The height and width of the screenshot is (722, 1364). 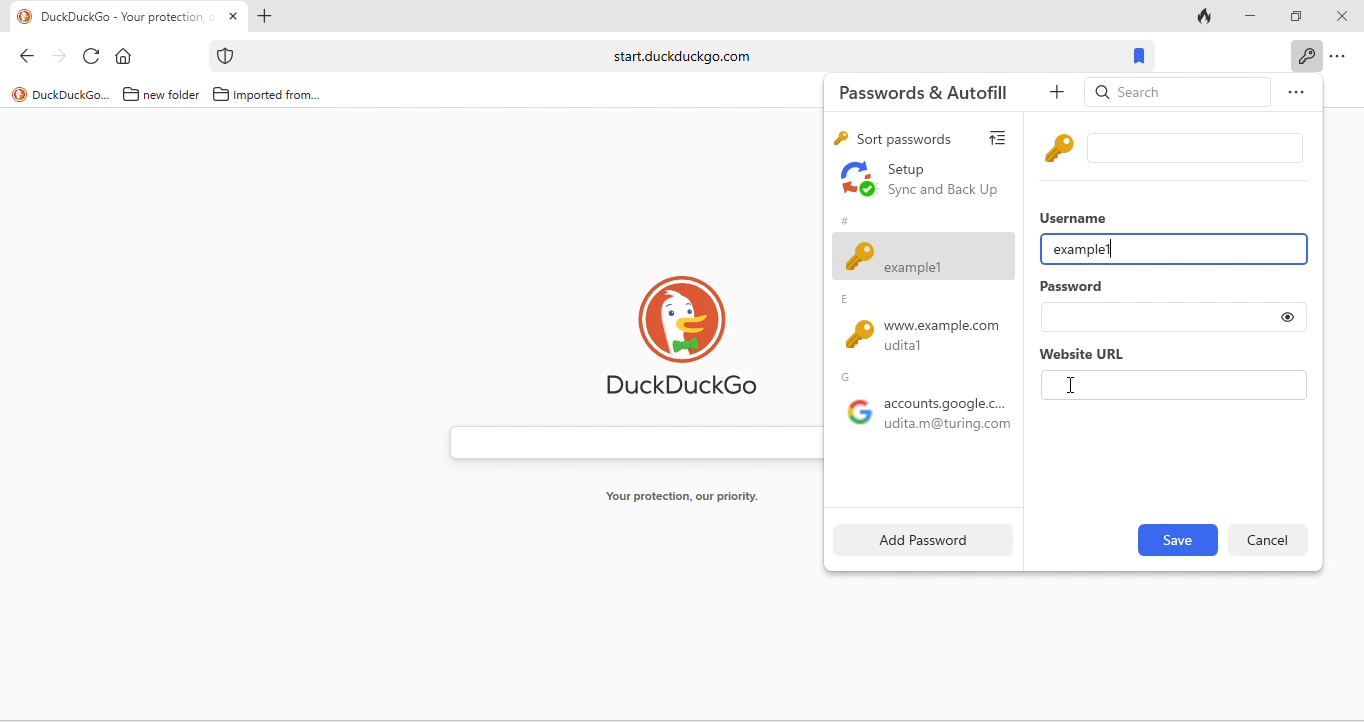 What do you see at coordinates (926, 256) in the screenshot?
I see `adding new field of password` at bounding box center [926, 256].